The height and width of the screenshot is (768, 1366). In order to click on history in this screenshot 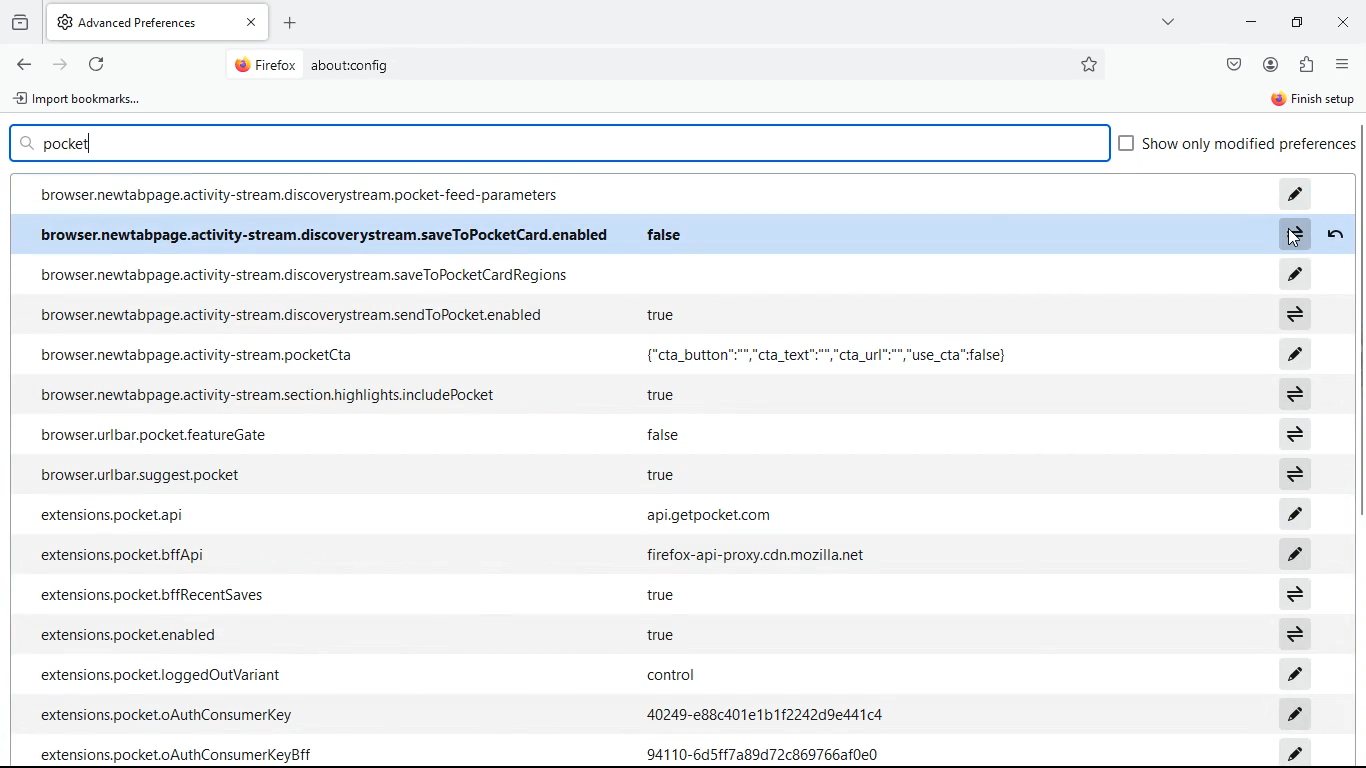, I will do `click(21, 23)`.